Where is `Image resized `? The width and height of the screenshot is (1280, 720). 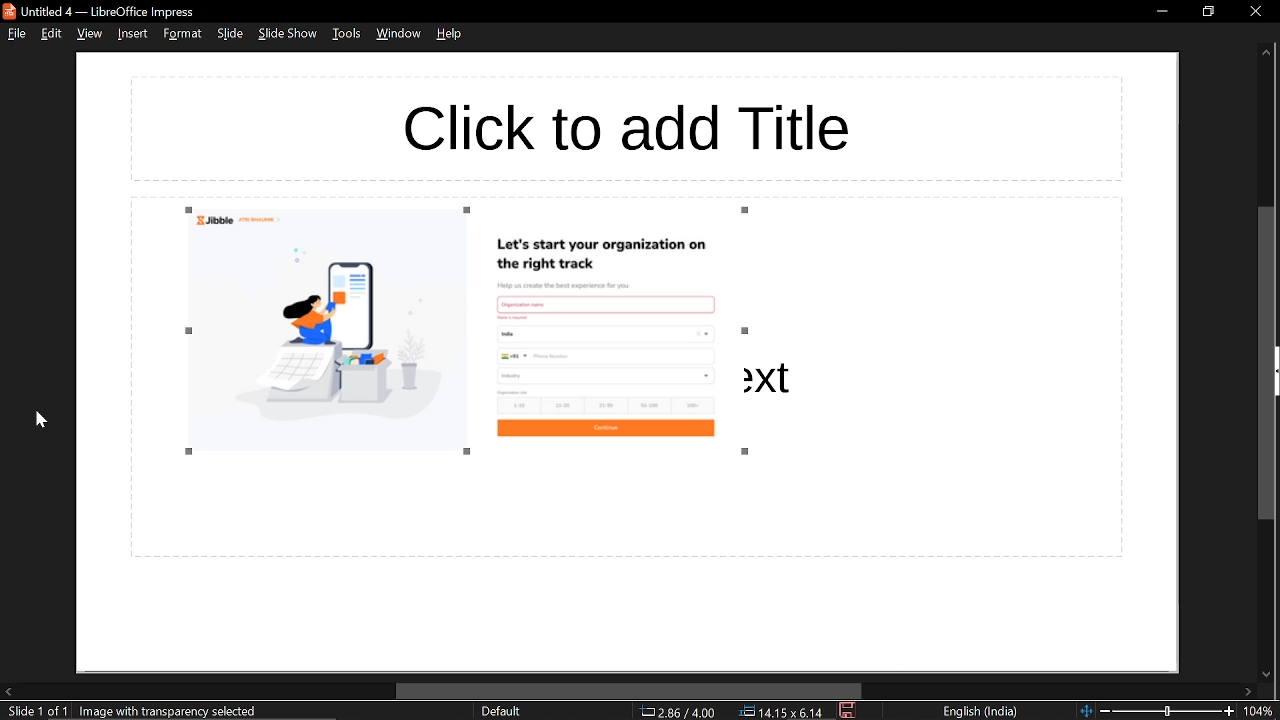 Image resized  is located at coordinates (476, 335).